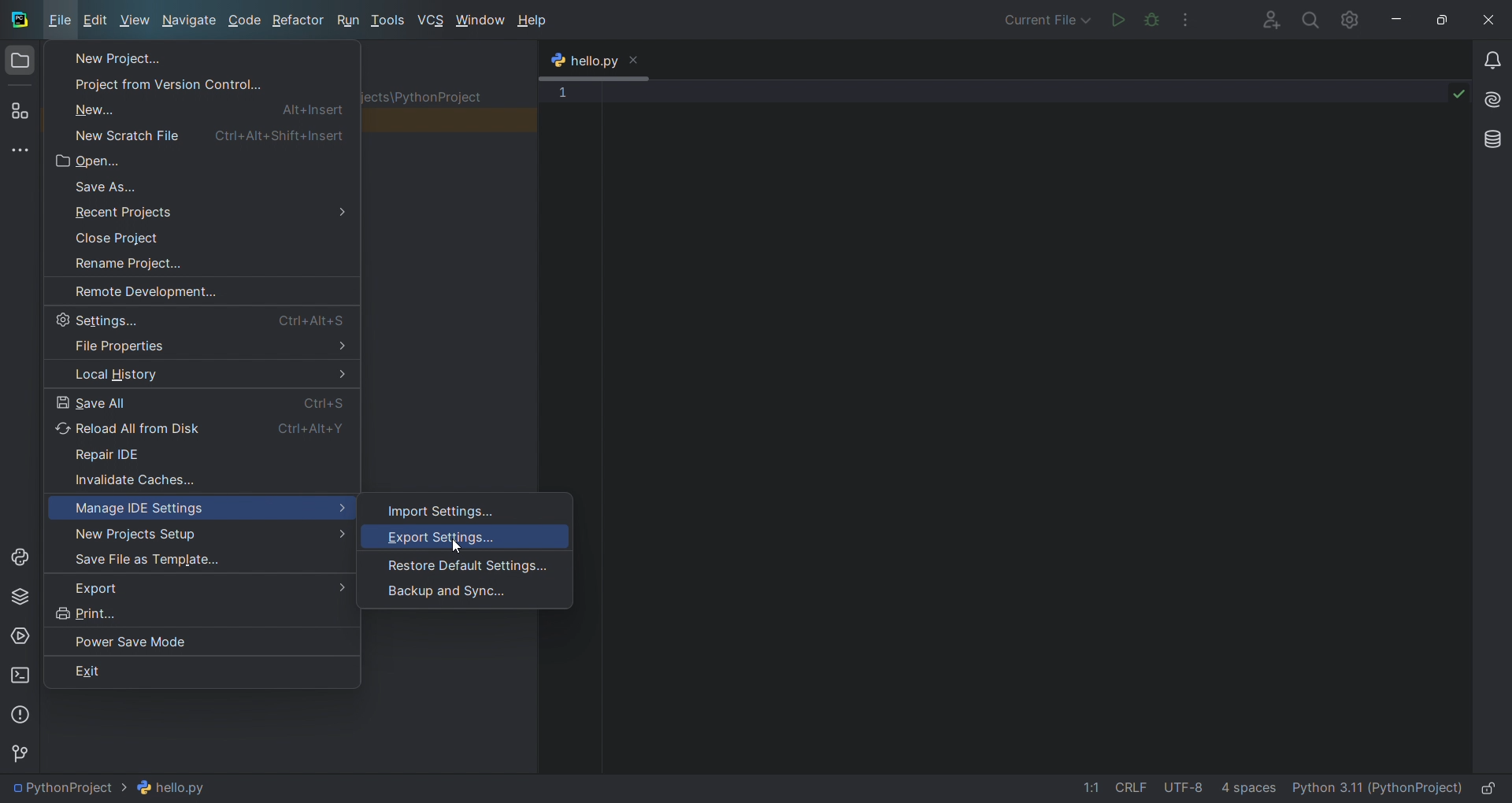 Image resolution: width=1512 pixels, height=803 pixels. I want to click on services, so click(20, 638).